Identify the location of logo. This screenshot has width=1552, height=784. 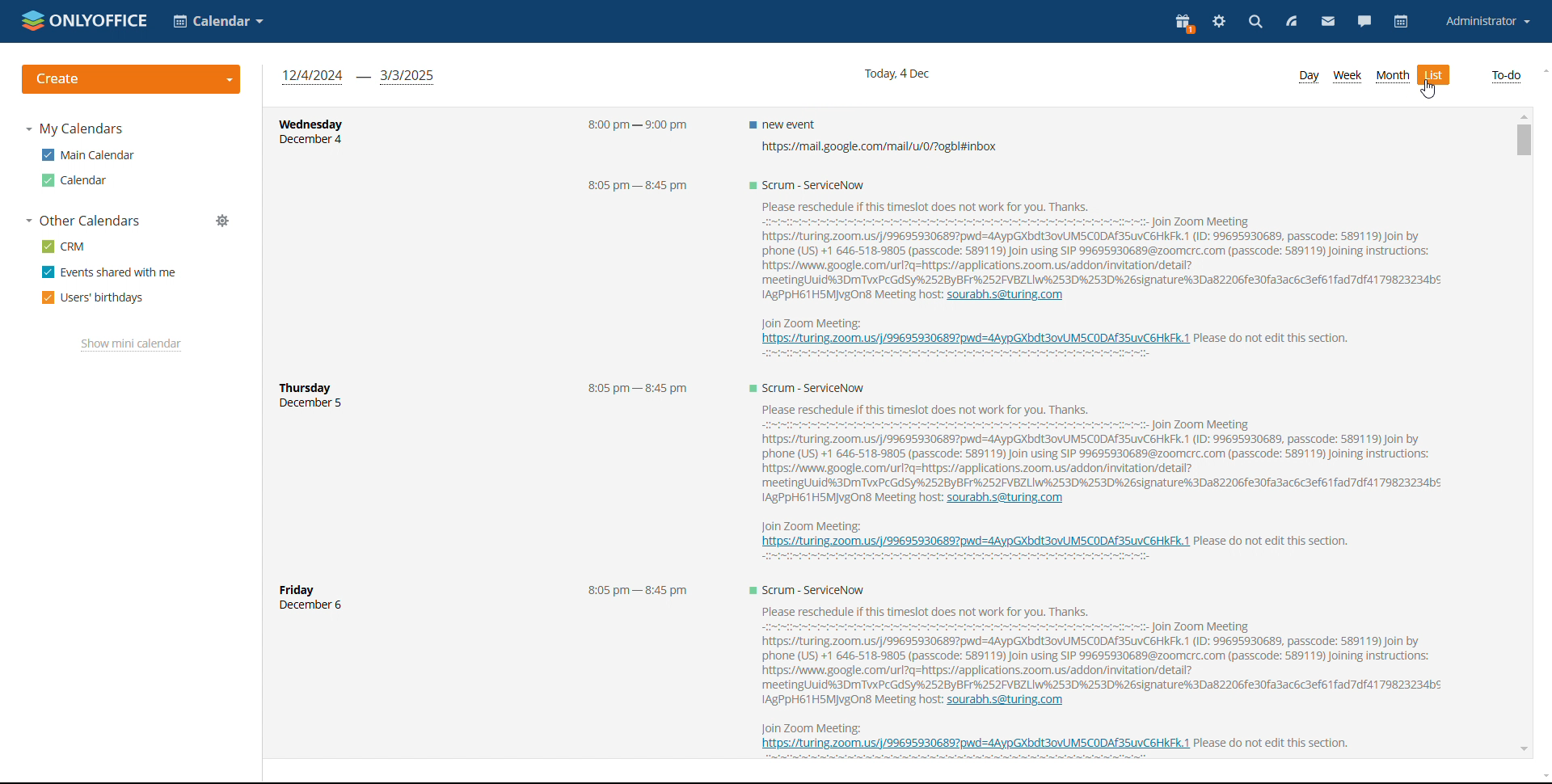
(85, 20).